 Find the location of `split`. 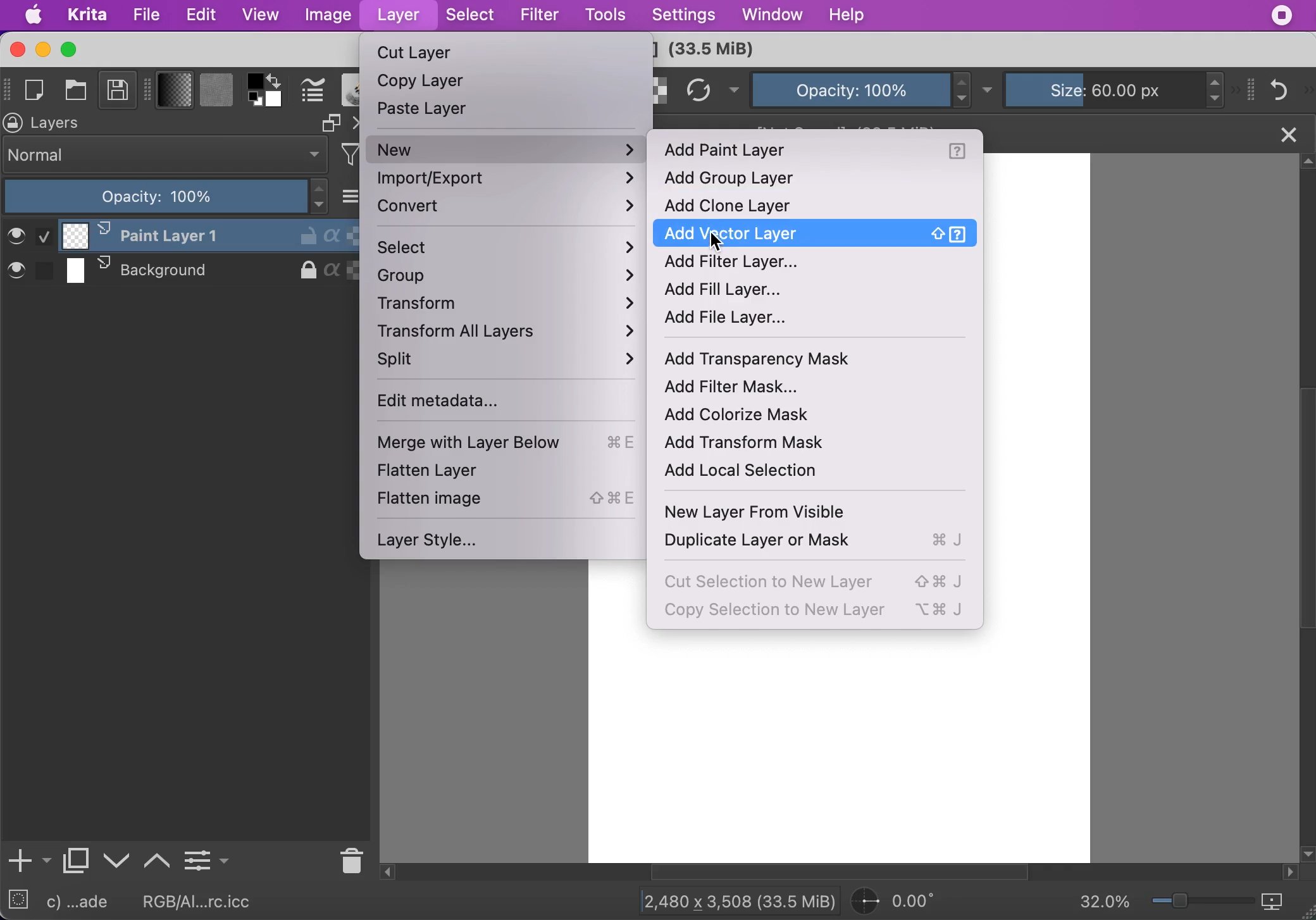

split is located at coordinates (507, 364).